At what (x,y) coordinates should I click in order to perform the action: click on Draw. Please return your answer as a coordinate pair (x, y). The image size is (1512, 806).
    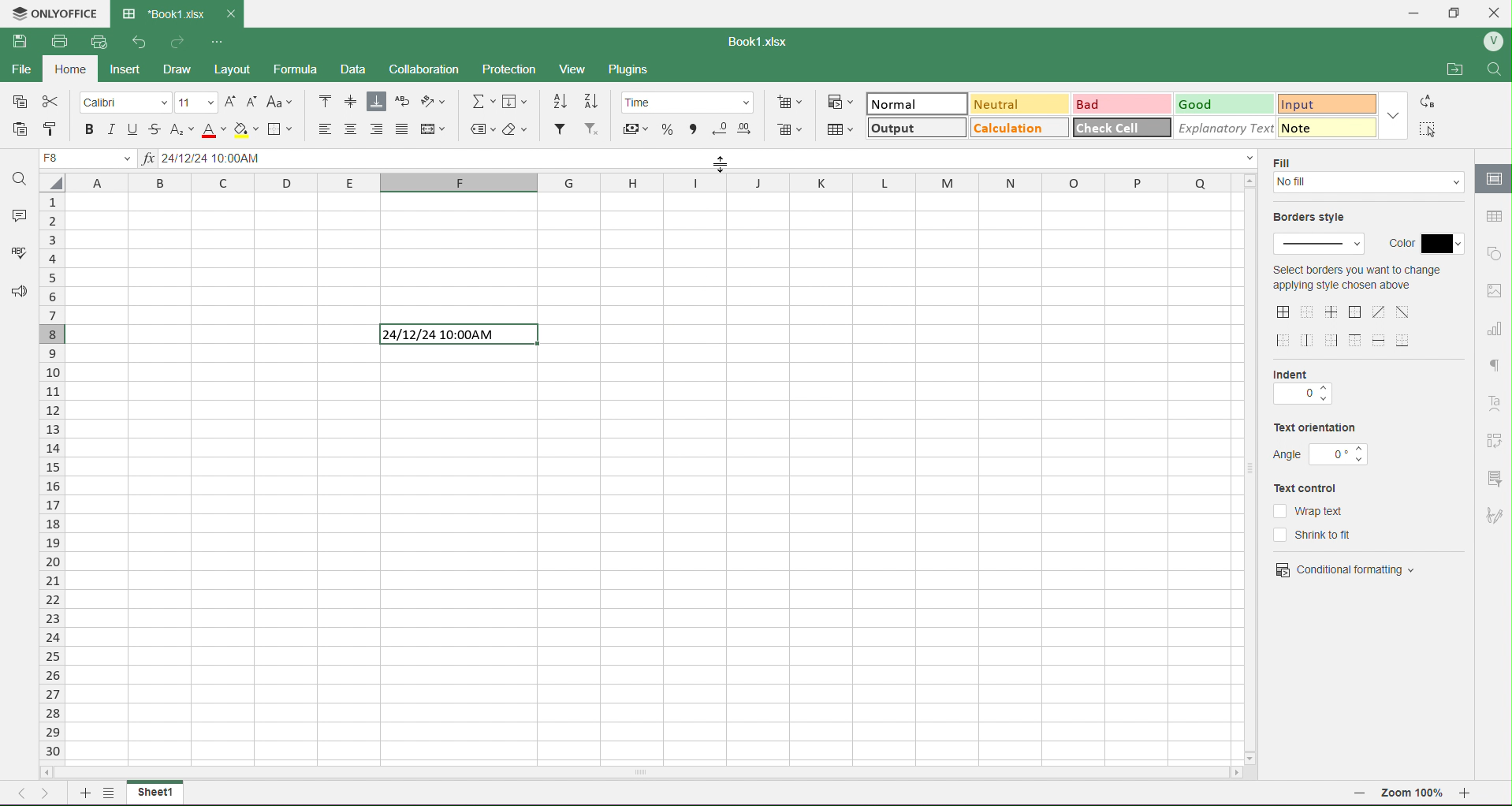
    Looking at the image, I should click on (192, 66).